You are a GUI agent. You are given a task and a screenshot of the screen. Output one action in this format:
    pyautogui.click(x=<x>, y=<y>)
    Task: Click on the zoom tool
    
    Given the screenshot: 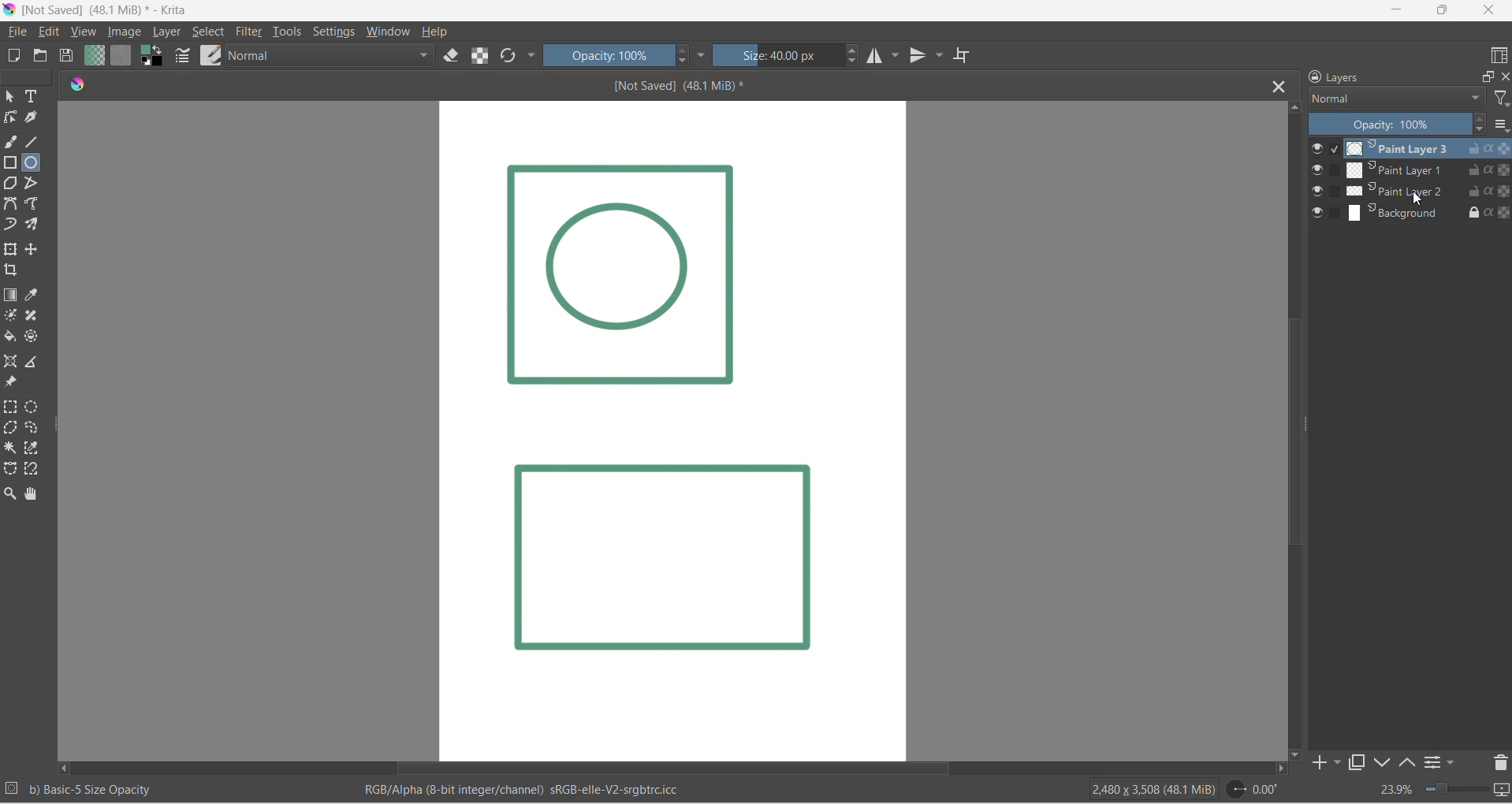 What is the action you would take?
    pyautogui.click(x=10, y=493)
    